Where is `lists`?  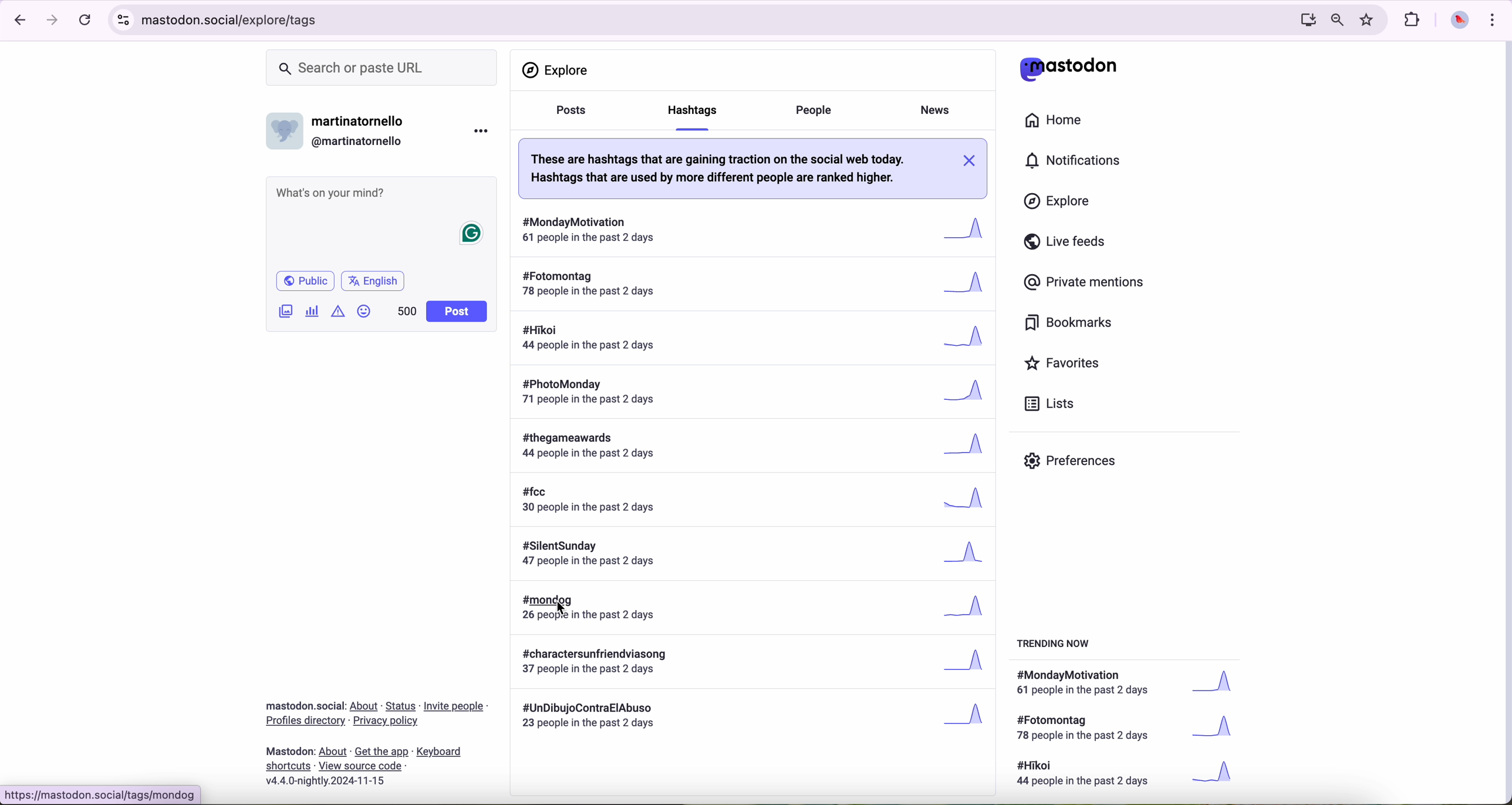 lists is located at coordinates (1054, 404).